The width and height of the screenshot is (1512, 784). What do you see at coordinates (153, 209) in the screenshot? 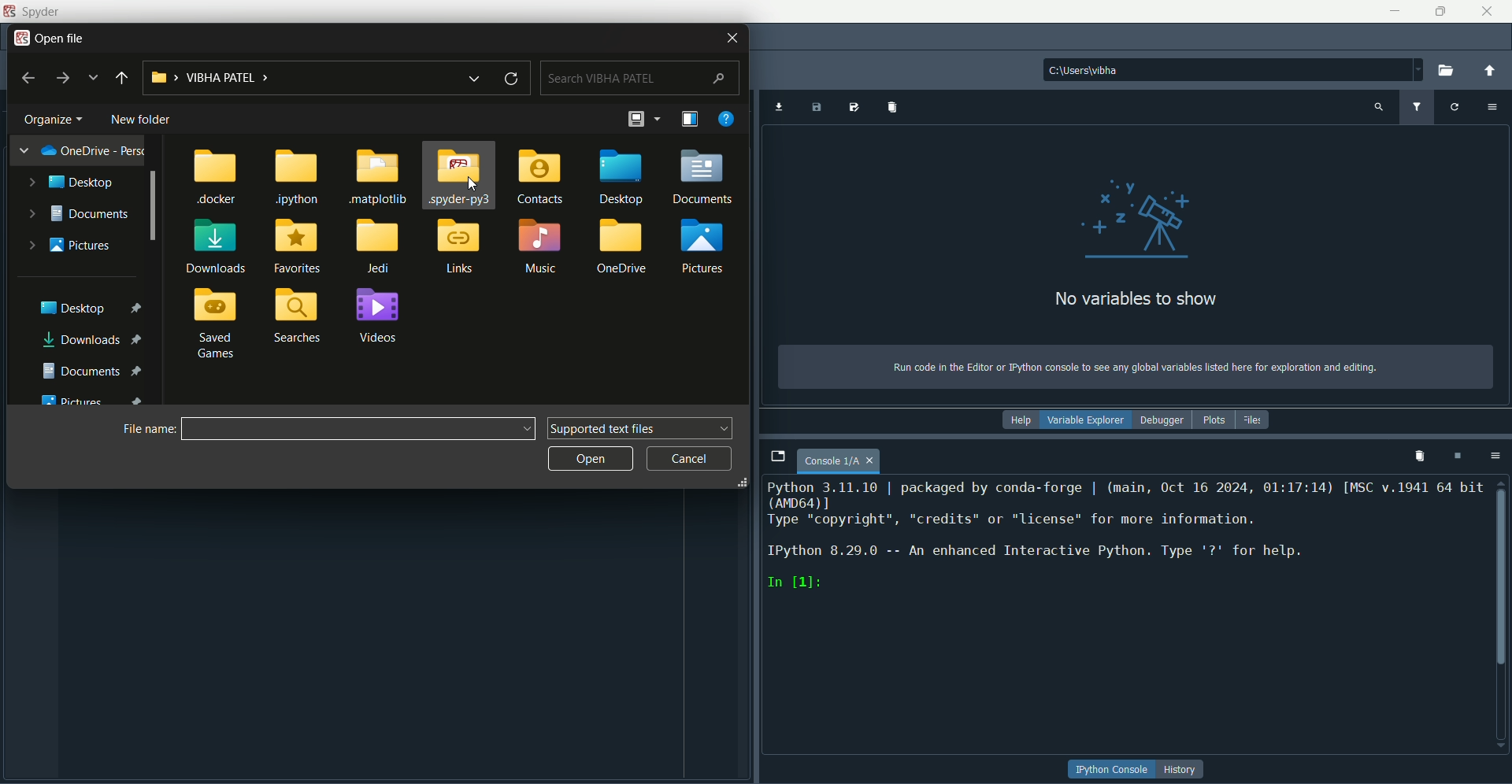
I see `Scrollbar` at bounding box center [153, 209].